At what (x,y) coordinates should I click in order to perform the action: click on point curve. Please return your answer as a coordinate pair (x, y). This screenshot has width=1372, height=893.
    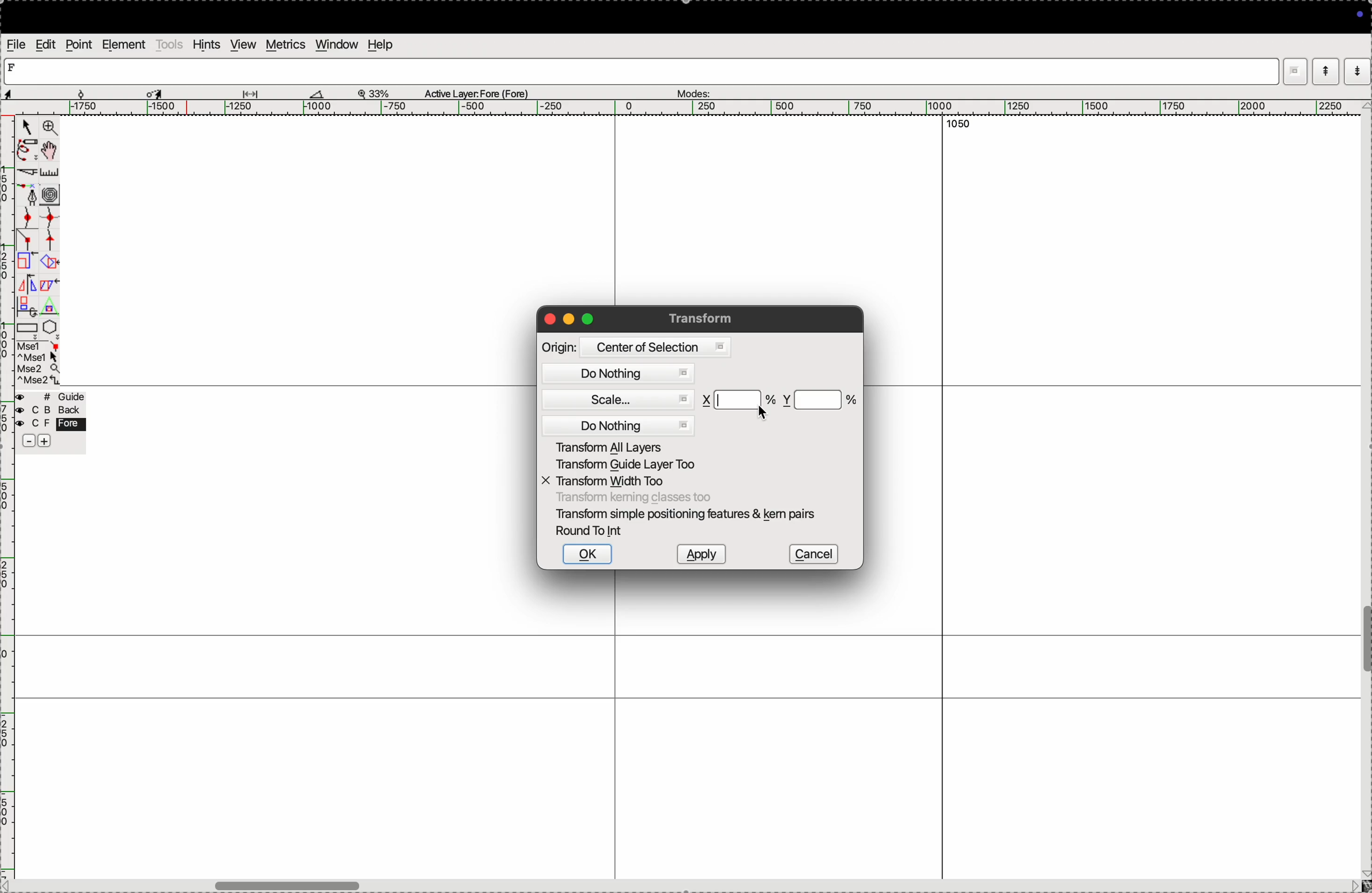
    Looking at the image, I should click on (29, 218).